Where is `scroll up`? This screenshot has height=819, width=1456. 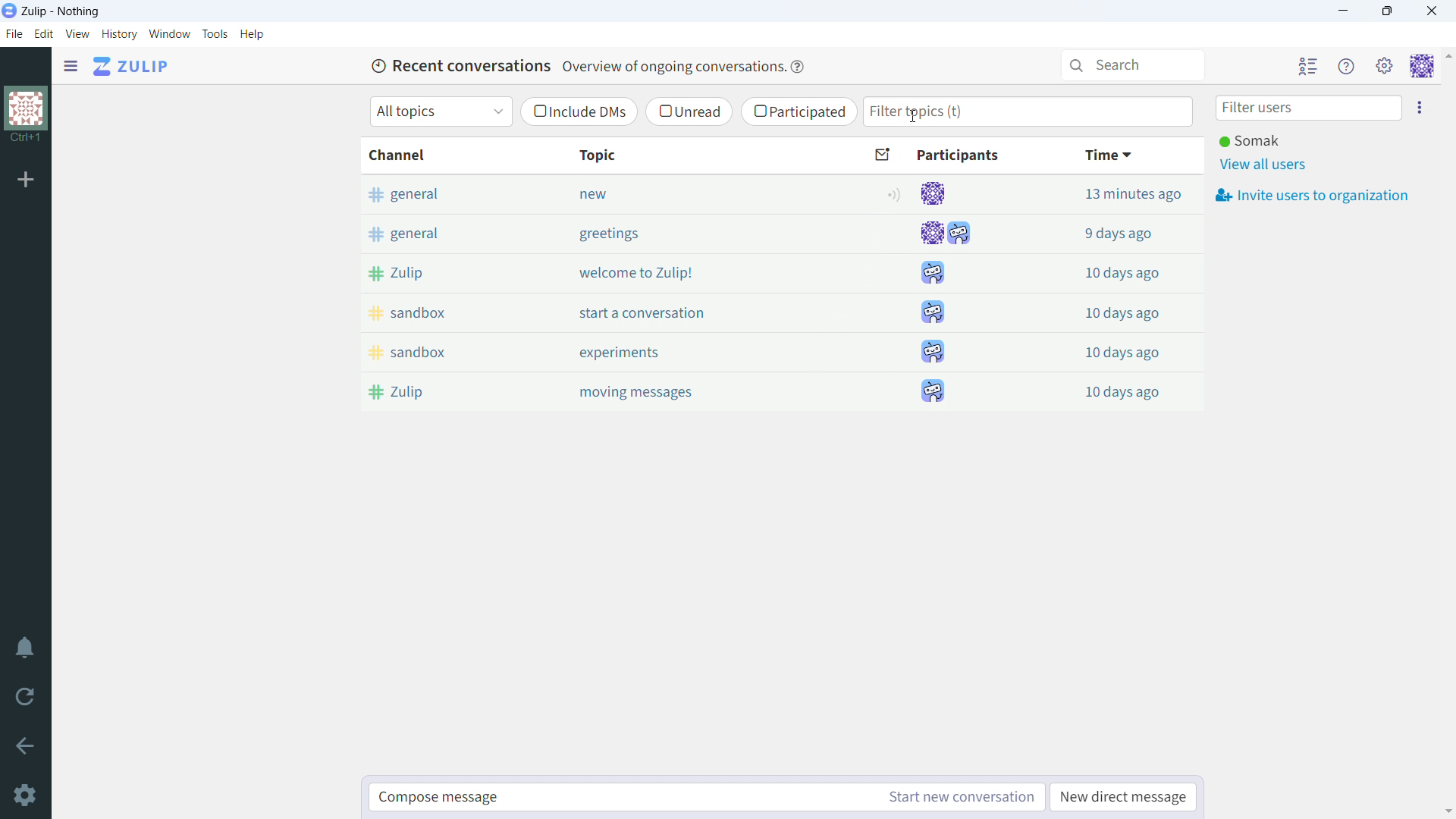
scroll up is located at coordinates (1447, 55).